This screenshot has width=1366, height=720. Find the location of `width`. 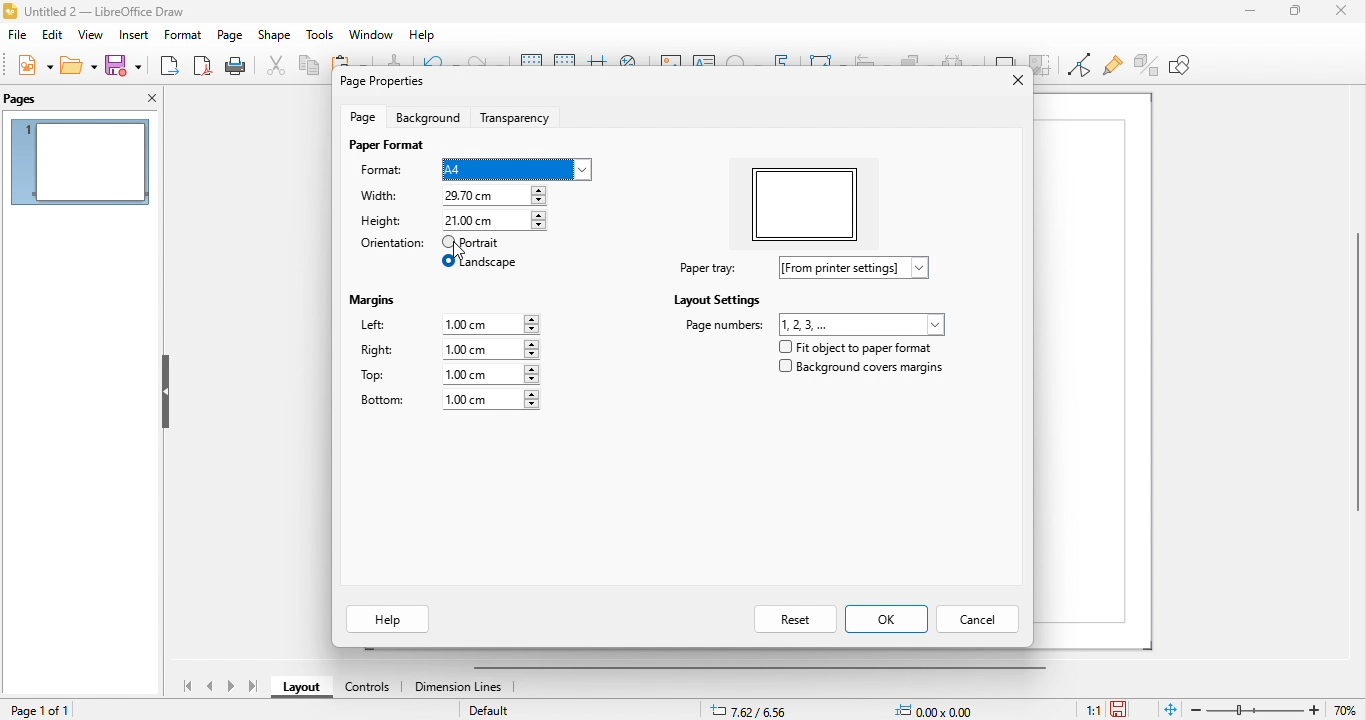

width is located at coordinates (380, 198).